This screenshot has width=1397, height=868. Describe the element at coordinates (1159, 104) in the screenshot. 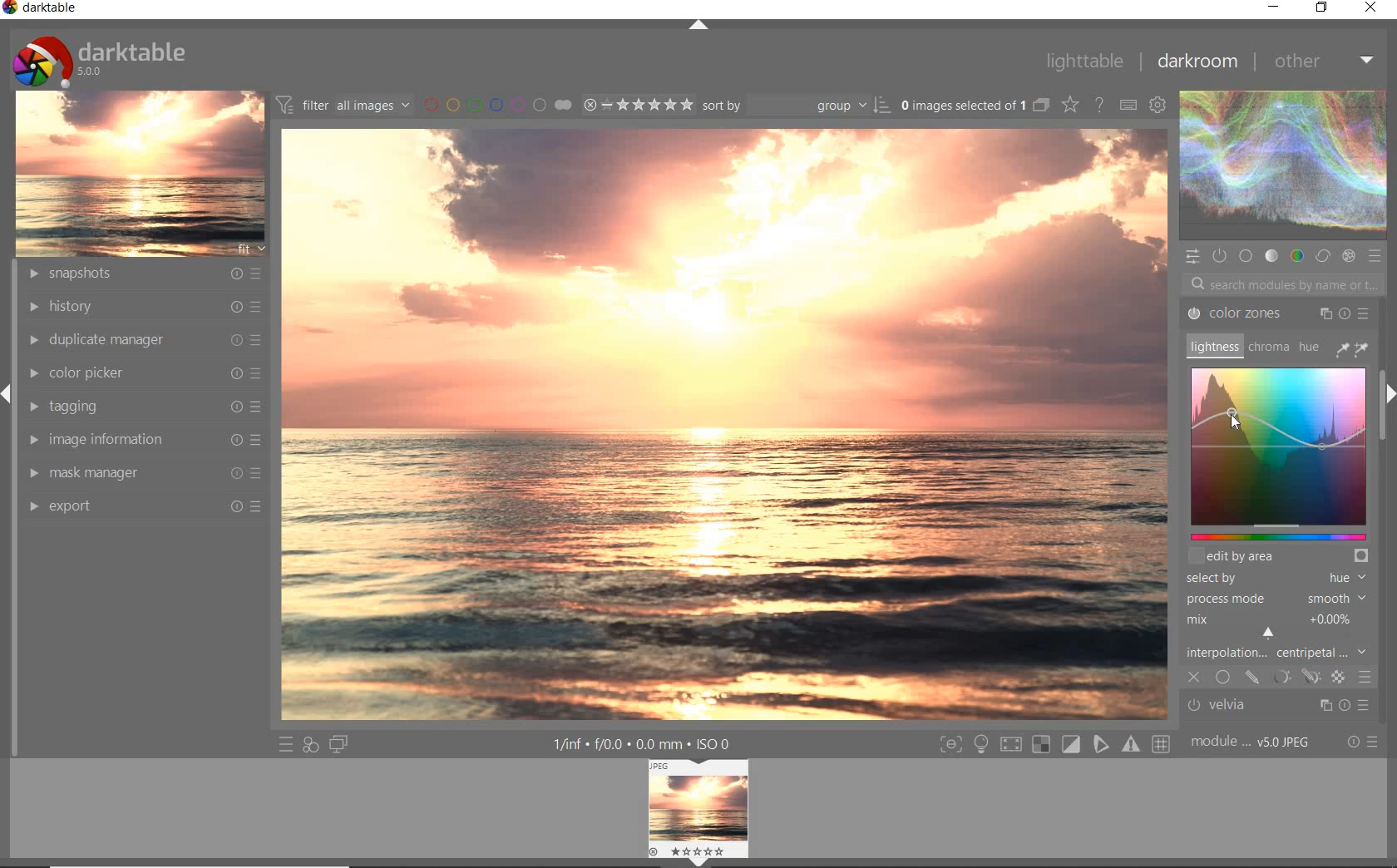

I see `show global preference` at that location.